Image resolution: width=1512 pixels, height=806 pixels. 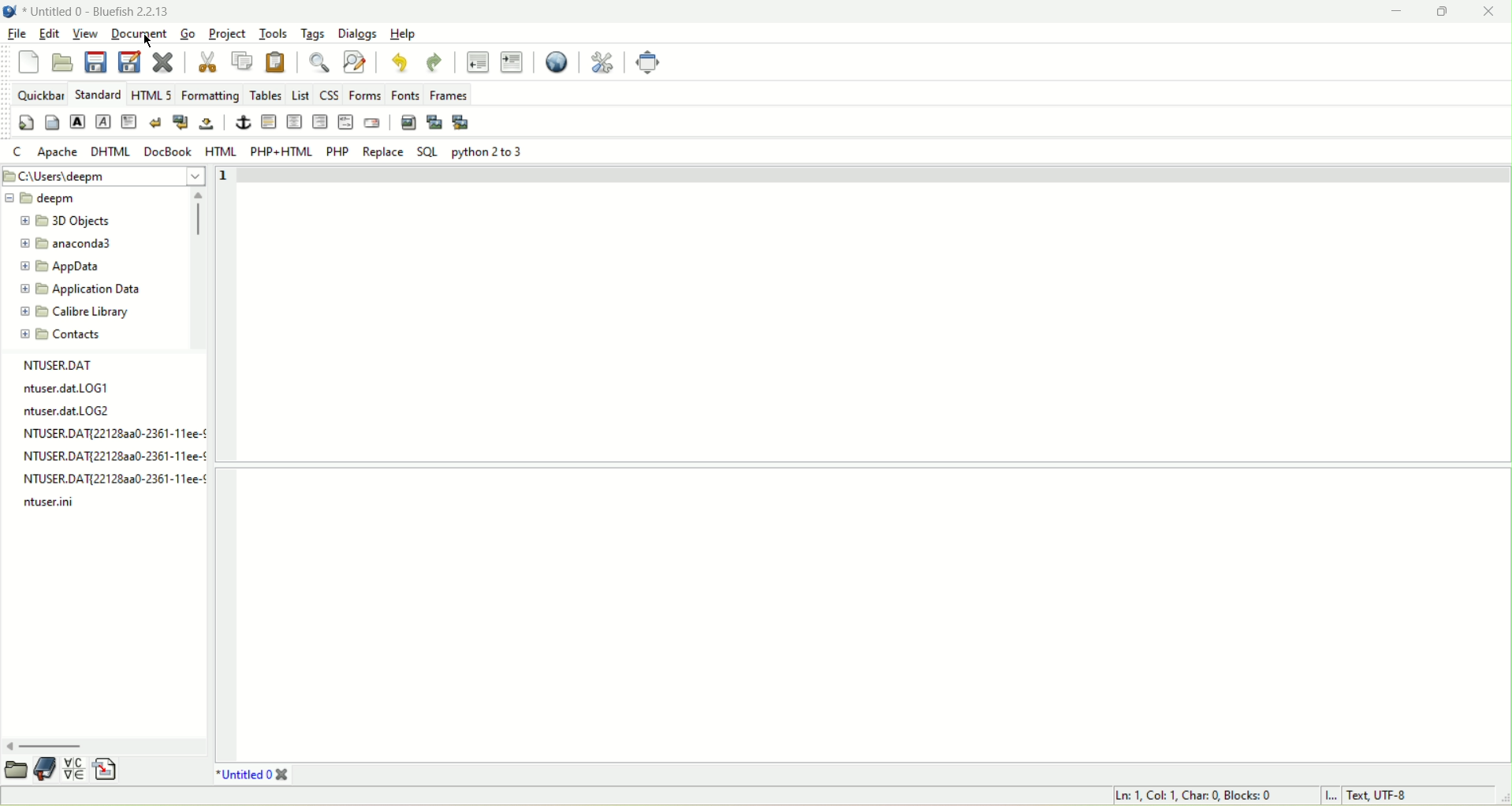 What do you see at coordinates (74, 334) in the screenshot?
I see `folder name` at bounding box center [74, 334].